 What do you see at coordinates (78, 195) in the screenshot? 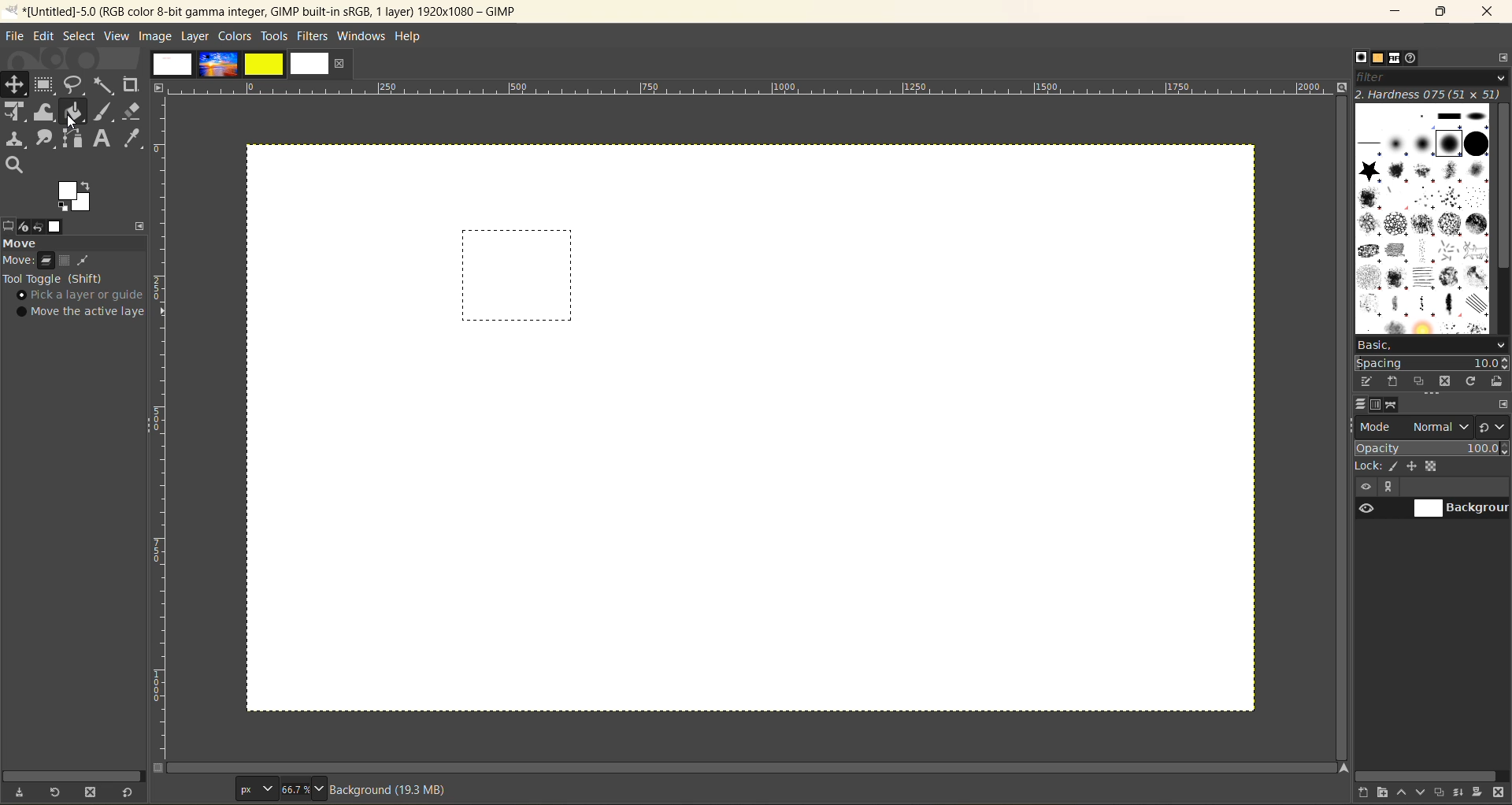
I see `active foreground/background color` at bounding box center [78, 195].